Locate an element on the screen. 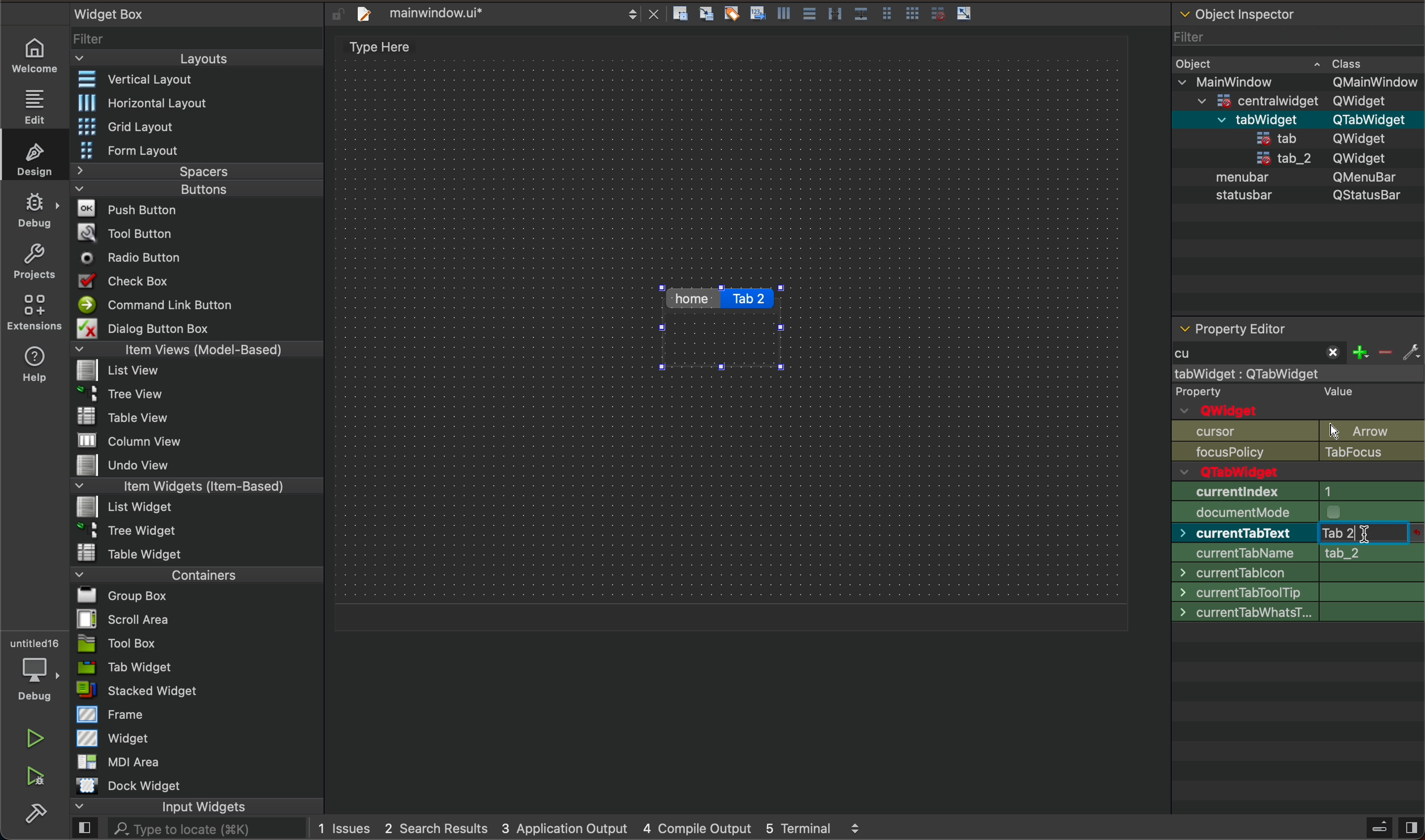 The height and width of the screenshot is (840, 1425). projects is located at coordinates (36, 261).